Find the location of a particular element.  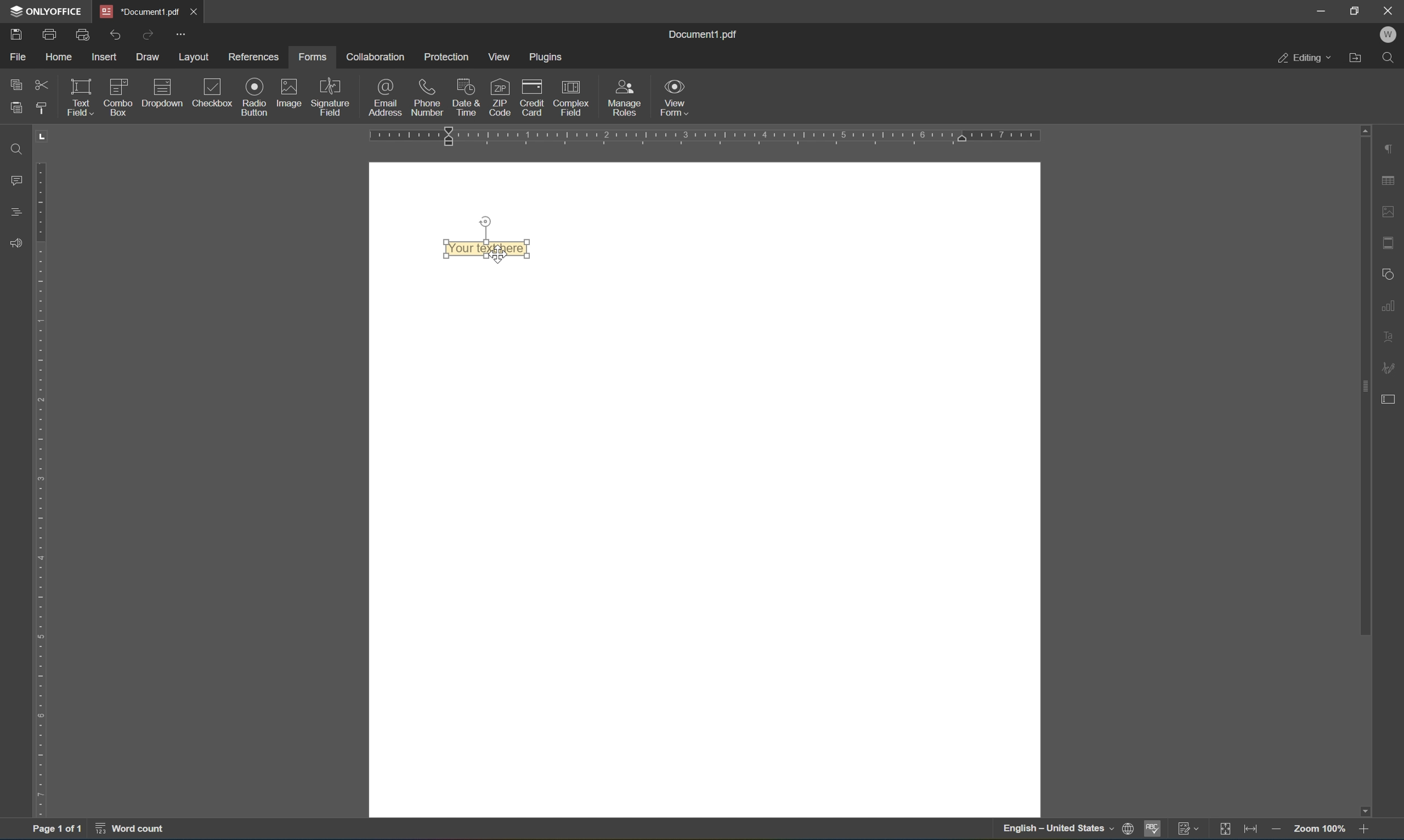

feedback & support is located at coordinates (15, 240).